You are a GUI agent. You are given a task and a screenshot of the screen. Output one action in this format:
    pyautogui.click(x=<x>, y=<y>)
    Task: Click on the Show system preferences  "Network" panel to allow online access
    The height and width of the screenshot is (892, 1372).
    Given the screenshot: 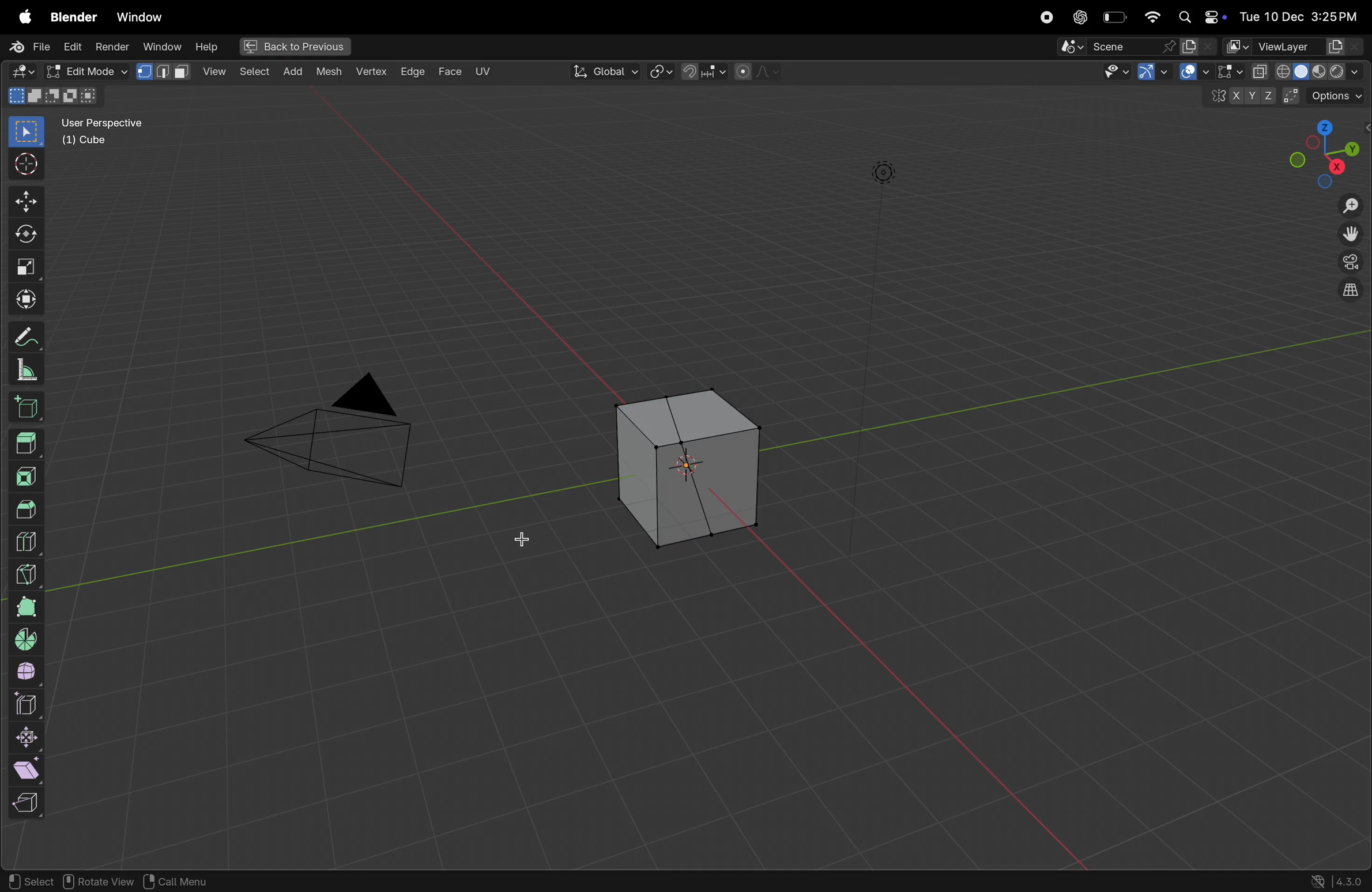 What is the action you would take?
    pyautogui.click(x=1318, y=881)
    